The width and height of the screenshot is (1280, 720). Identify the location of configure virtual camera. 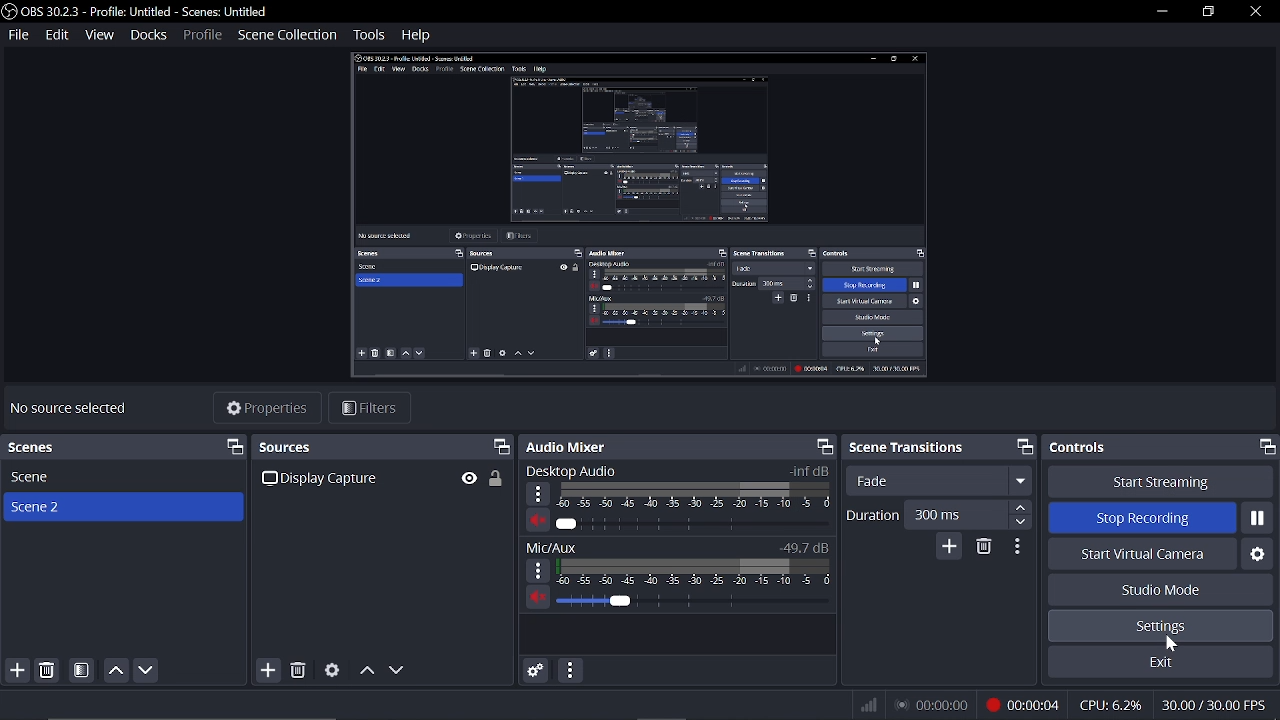
(1255, 553).